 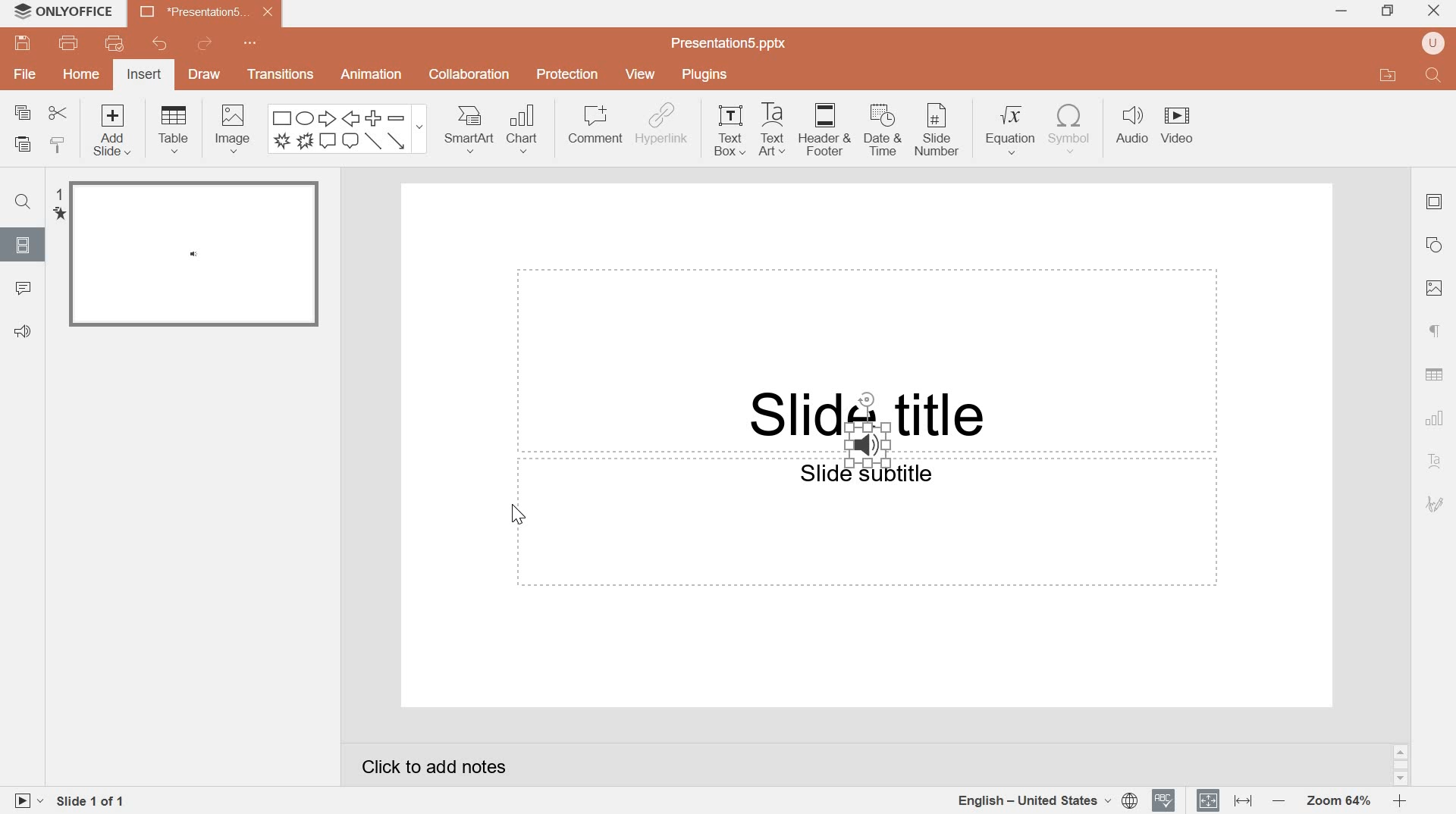 I want to click on Save, so click(x=21, y=44).